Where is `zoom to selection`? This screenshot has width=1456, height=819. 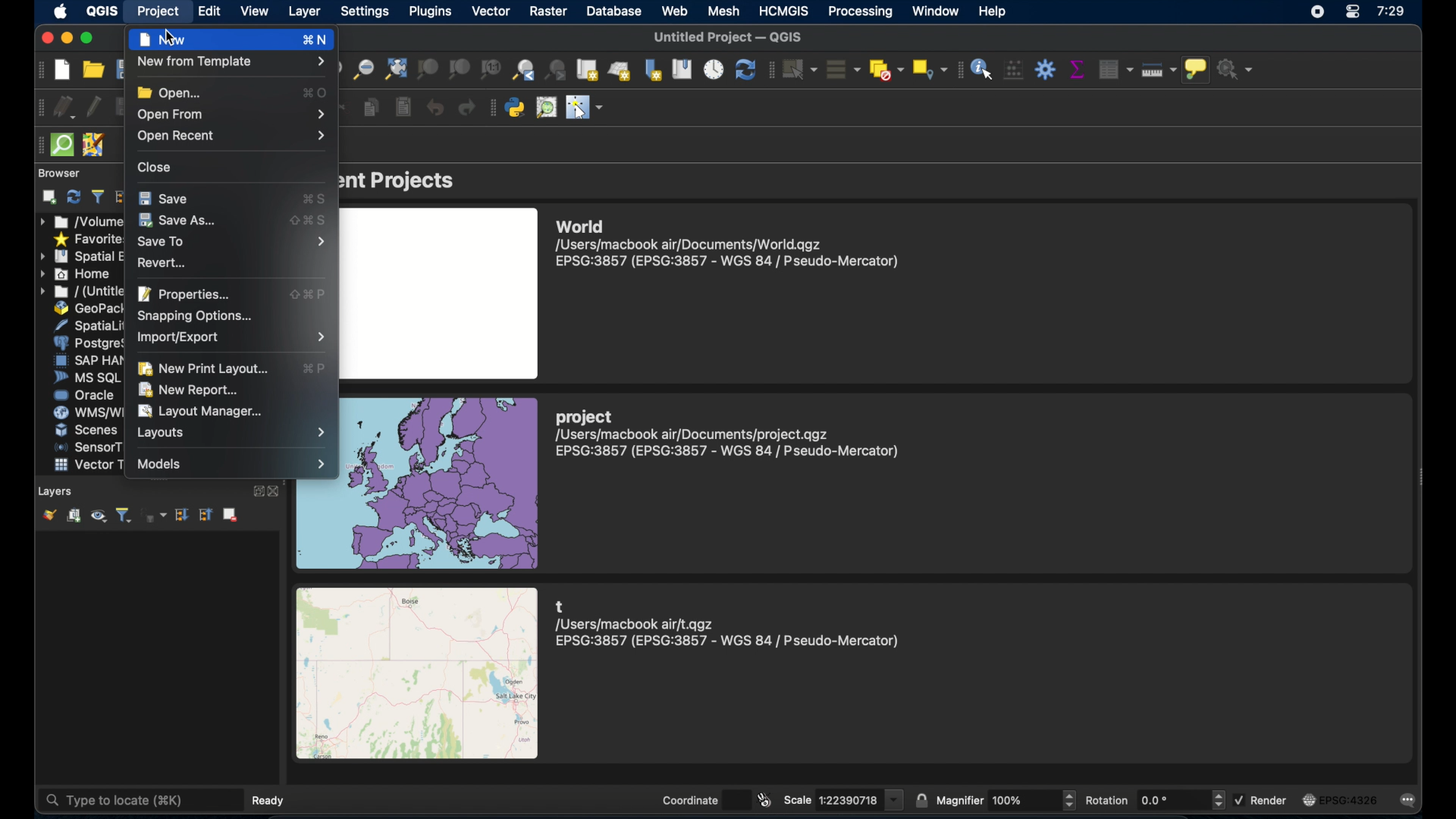 zoom to selection is located at coordinates (431, 68).